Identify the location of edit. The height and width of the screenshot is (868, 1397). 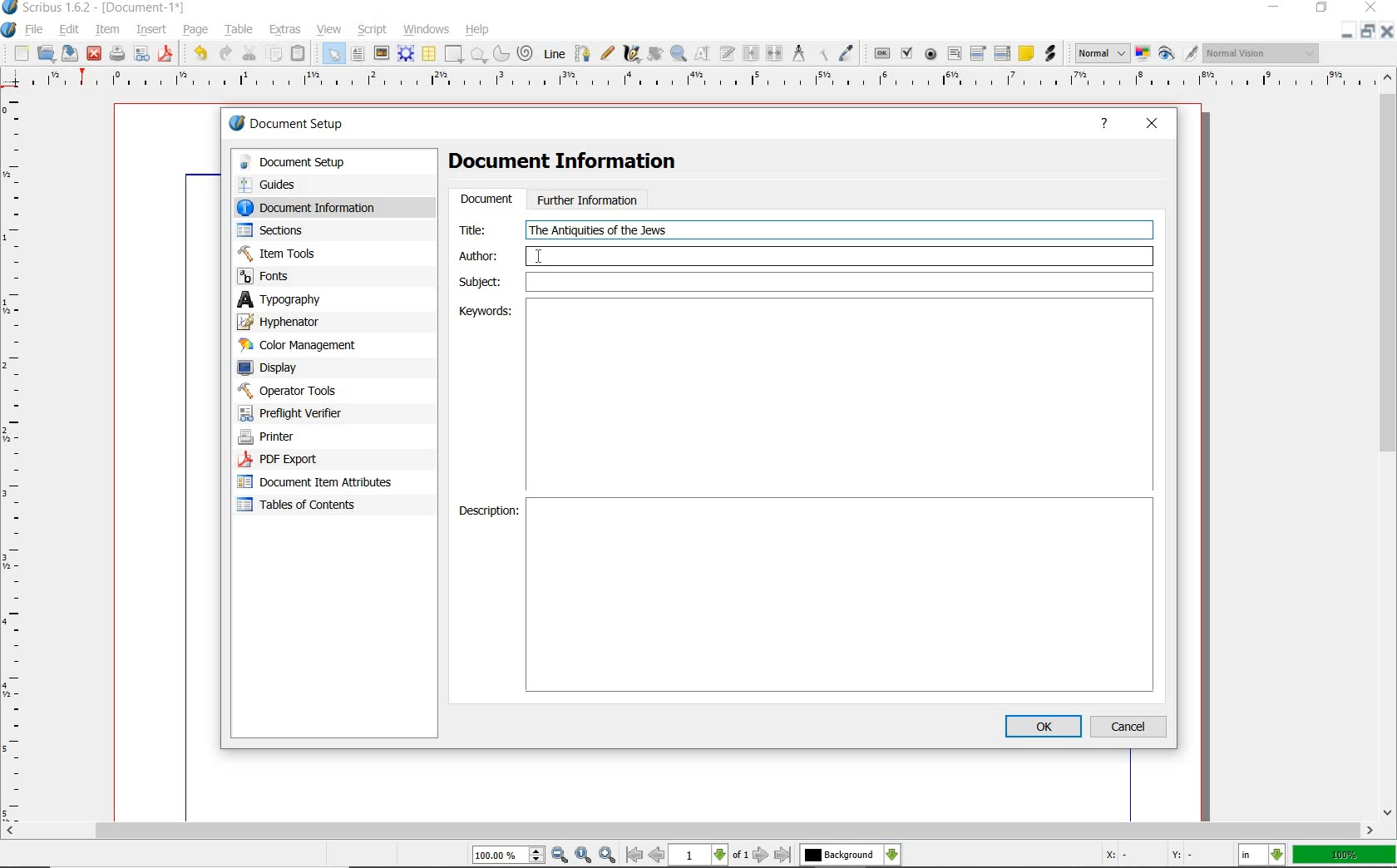
(70, 29).